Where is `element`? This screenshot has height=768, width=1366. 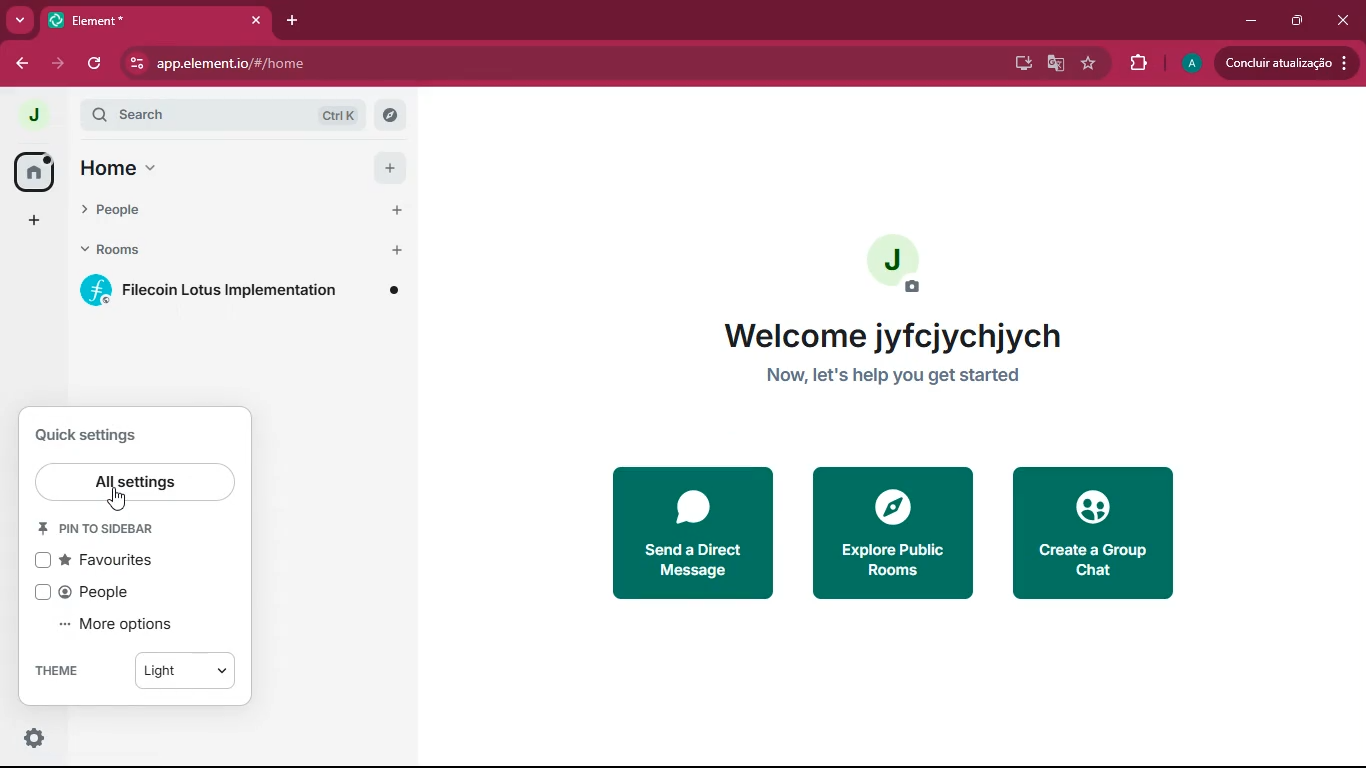 element is located at coordinates (155, 20).